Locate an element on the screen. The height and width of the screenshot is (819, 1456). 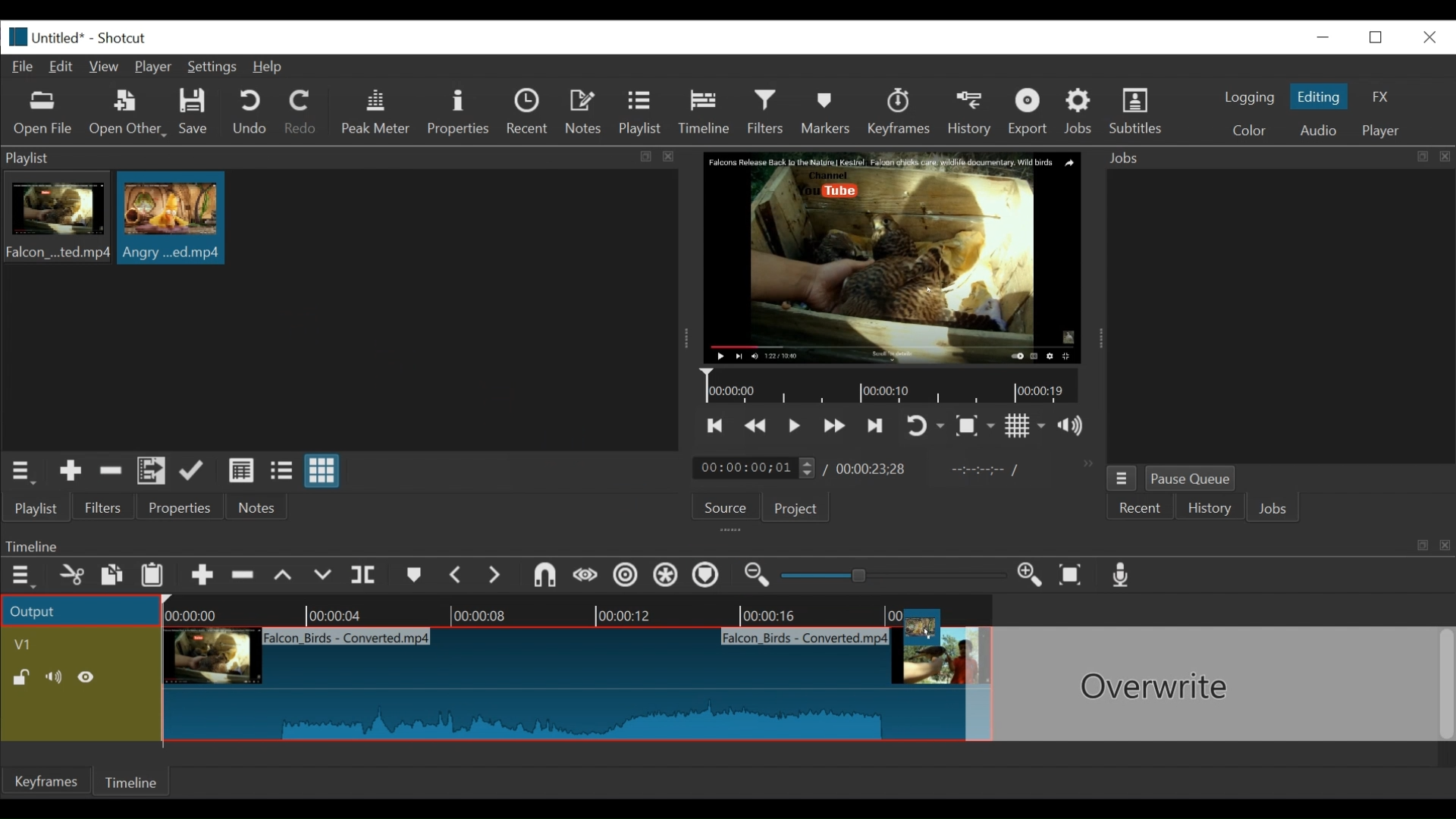
Recent is located at coordinates (531, 114).